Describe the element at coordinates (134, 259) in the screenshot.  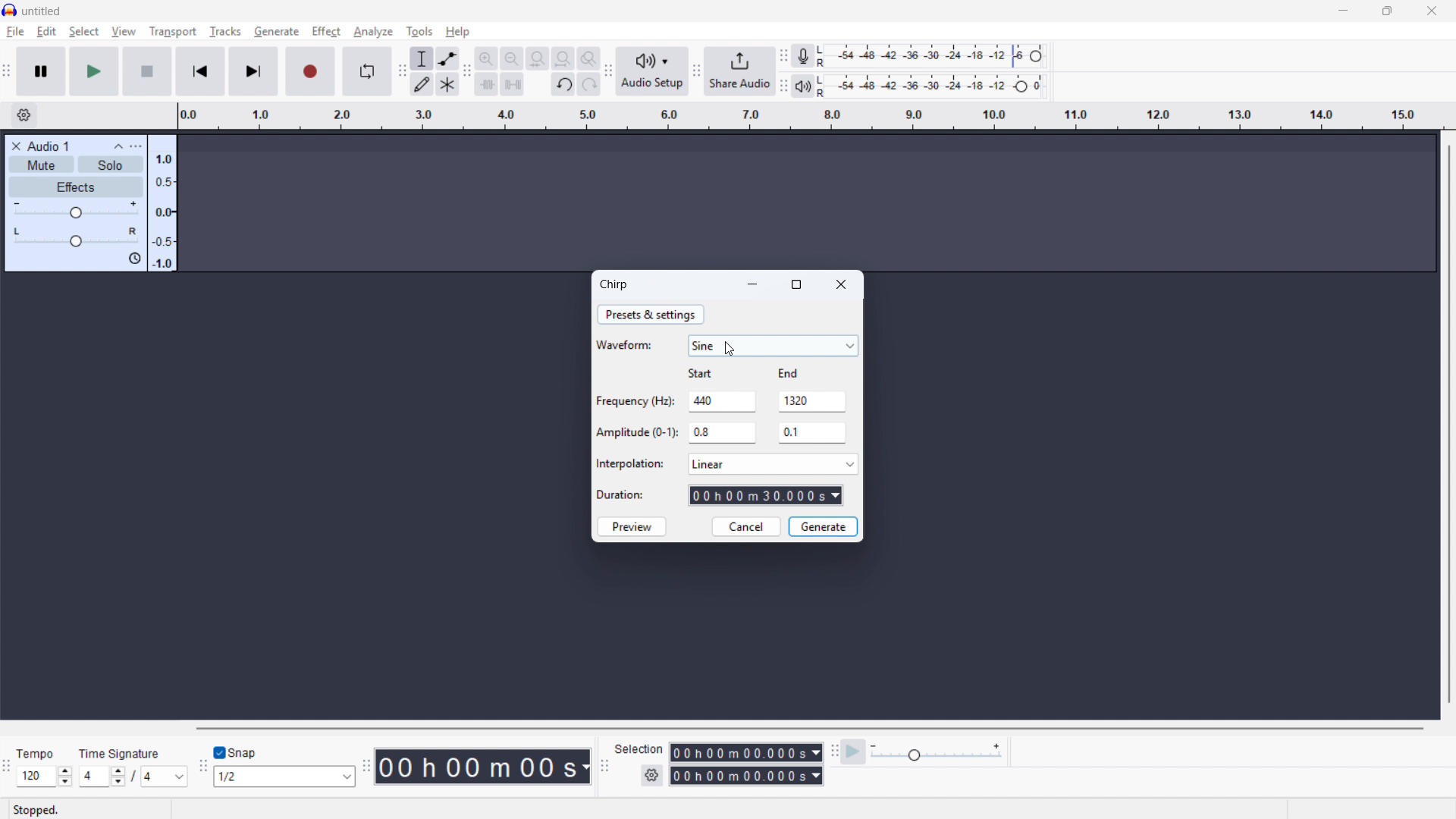
I see `Sync lock on ` at that location.